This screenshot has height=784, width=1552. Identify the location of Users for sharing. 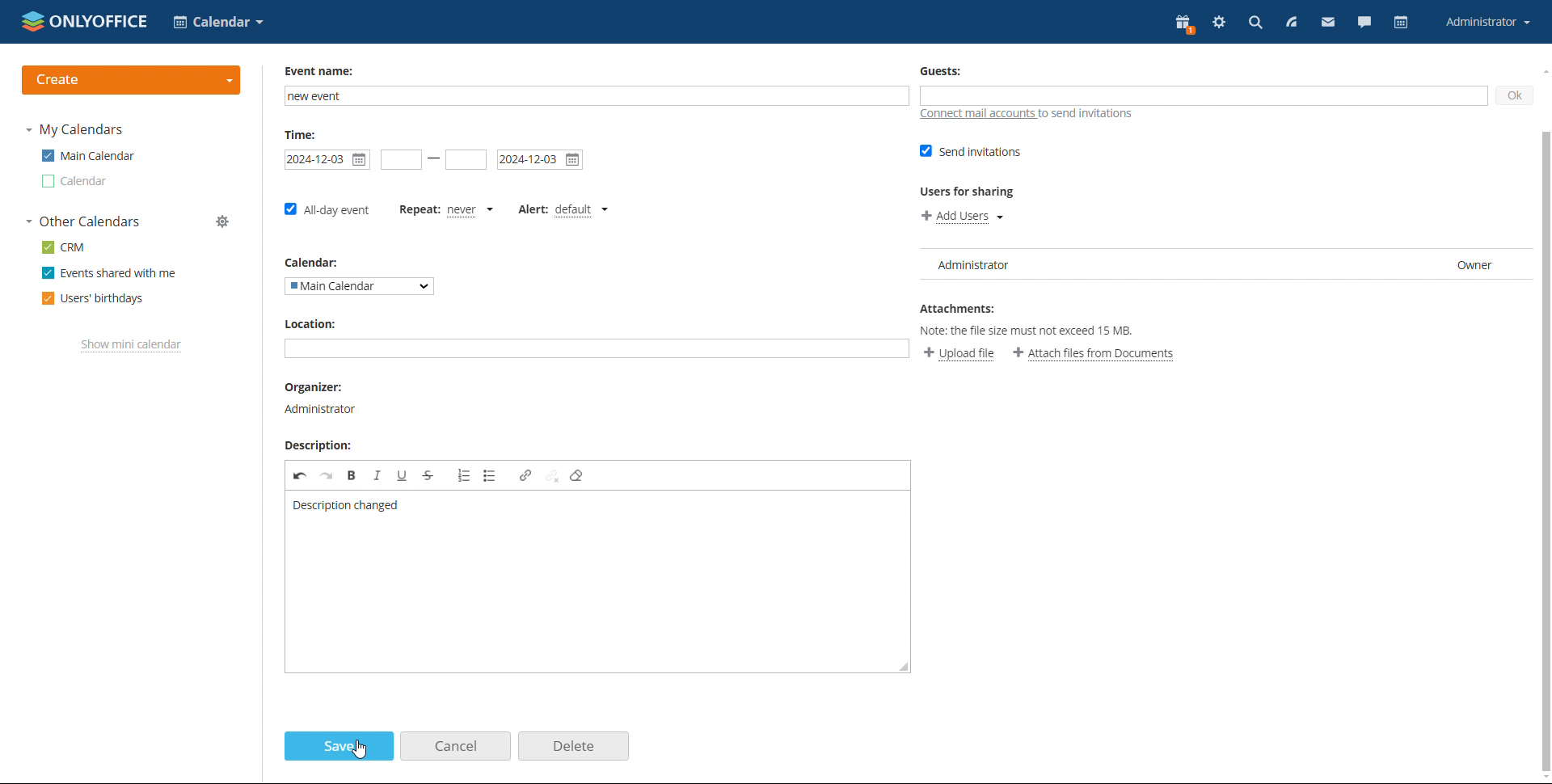
(968, 192).